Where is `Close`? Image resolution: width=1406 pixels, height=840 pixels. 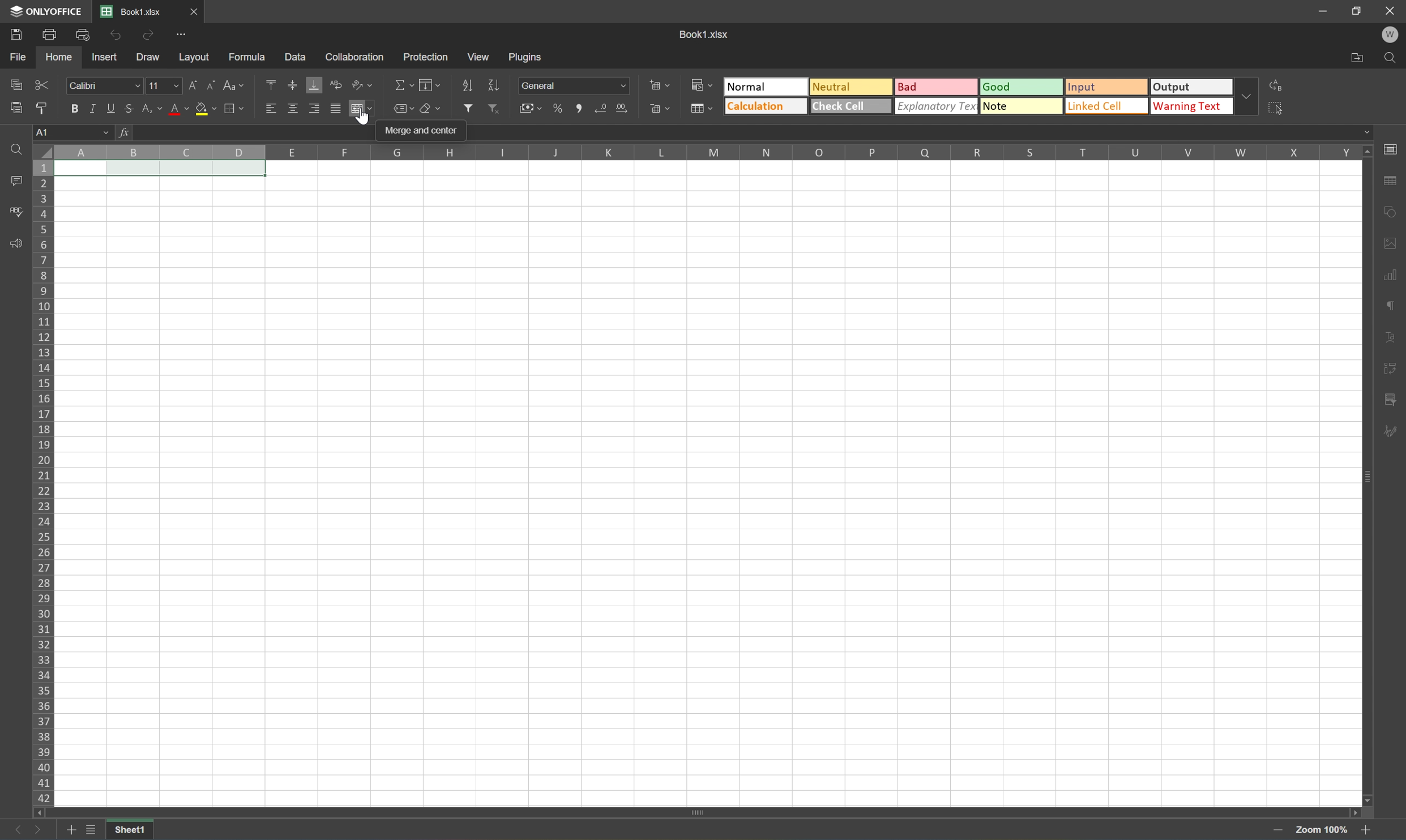
Close is located at coordinates (193, 10).